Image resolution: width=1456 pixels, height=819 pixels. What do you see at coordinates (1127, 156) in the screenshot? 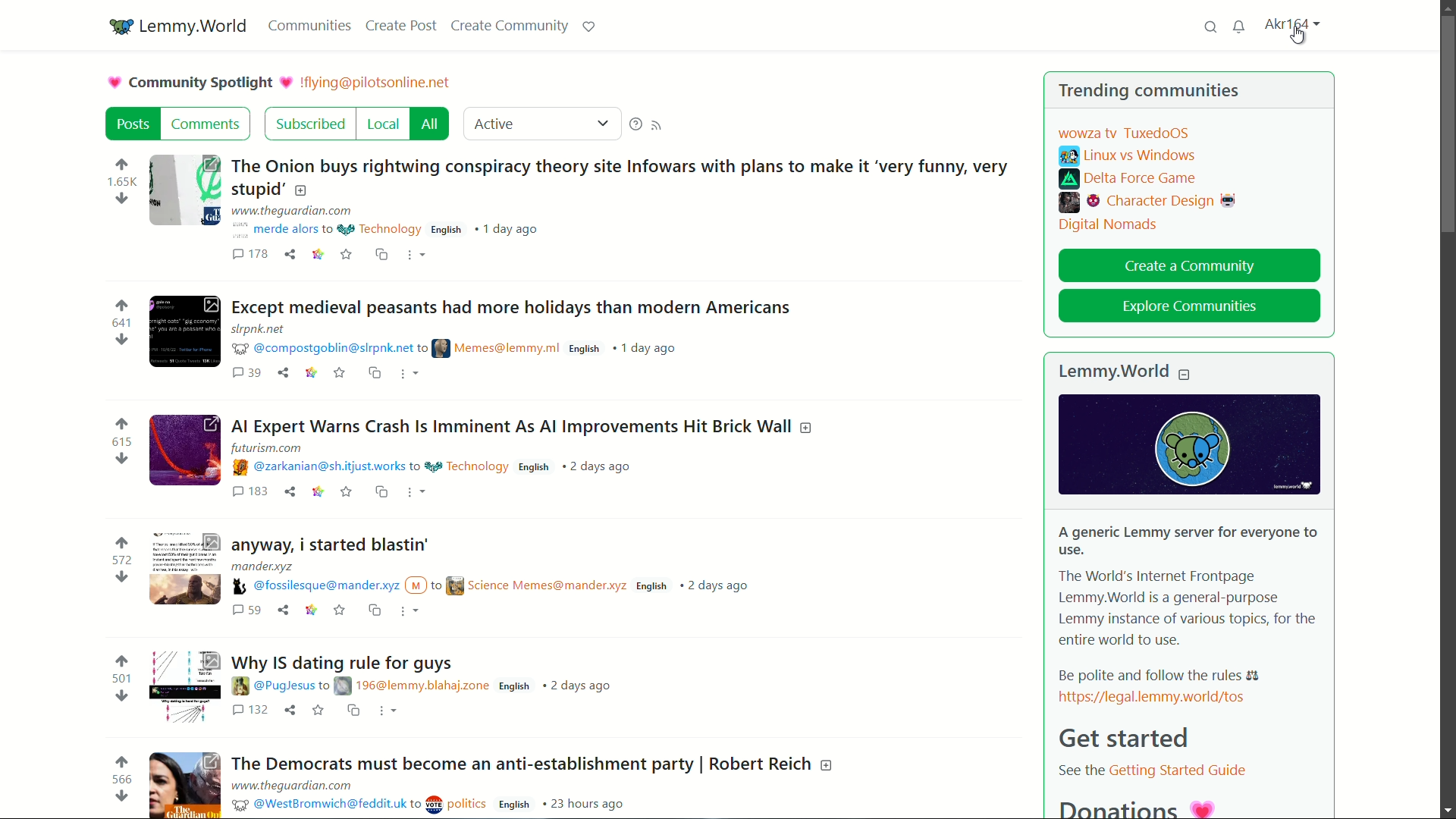
I see `linux vs windows` at bounding box center [1127, 156].